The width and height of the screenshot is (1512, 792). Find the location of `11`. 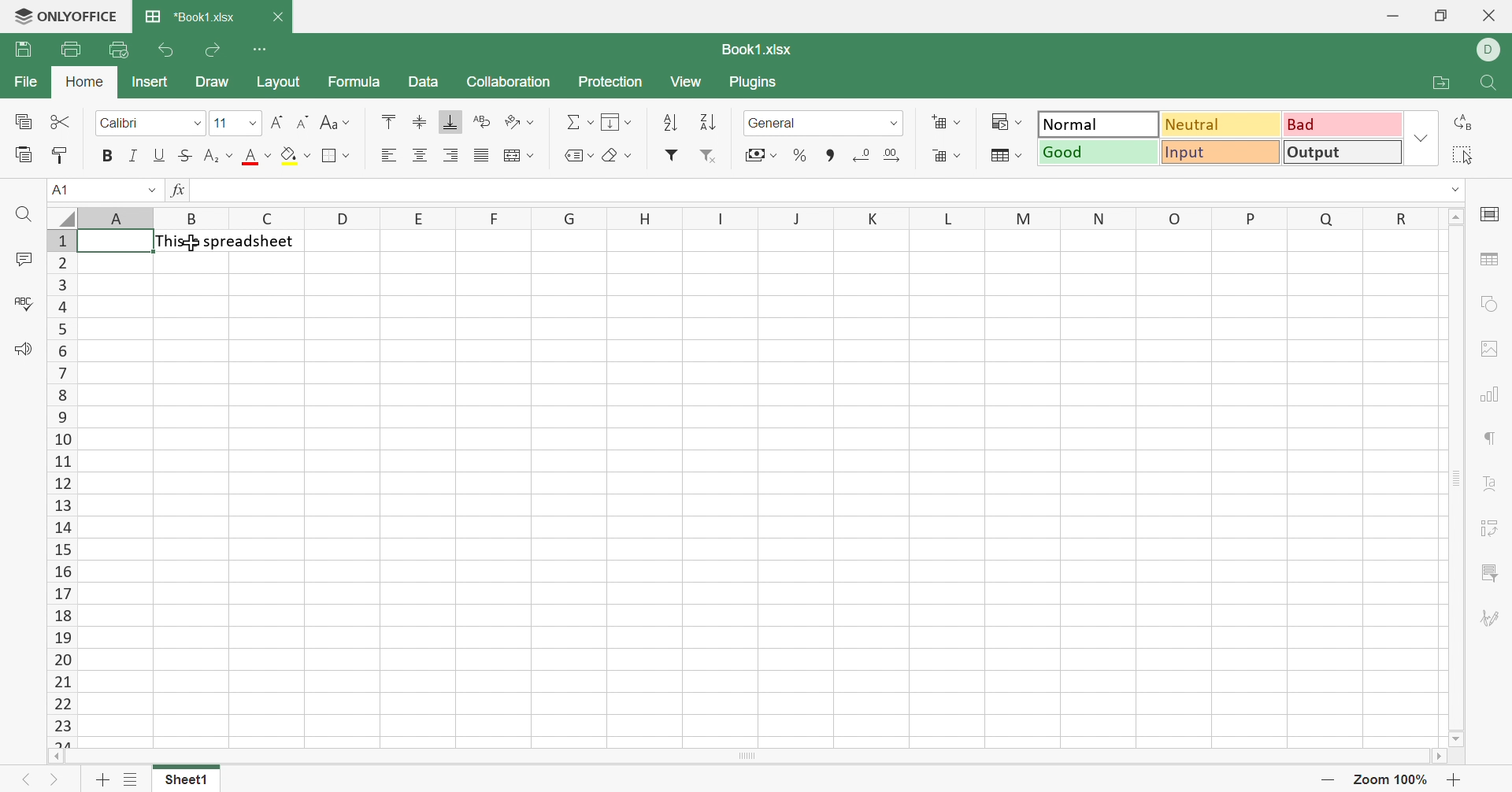

11 is located at coordinates (220, 122).